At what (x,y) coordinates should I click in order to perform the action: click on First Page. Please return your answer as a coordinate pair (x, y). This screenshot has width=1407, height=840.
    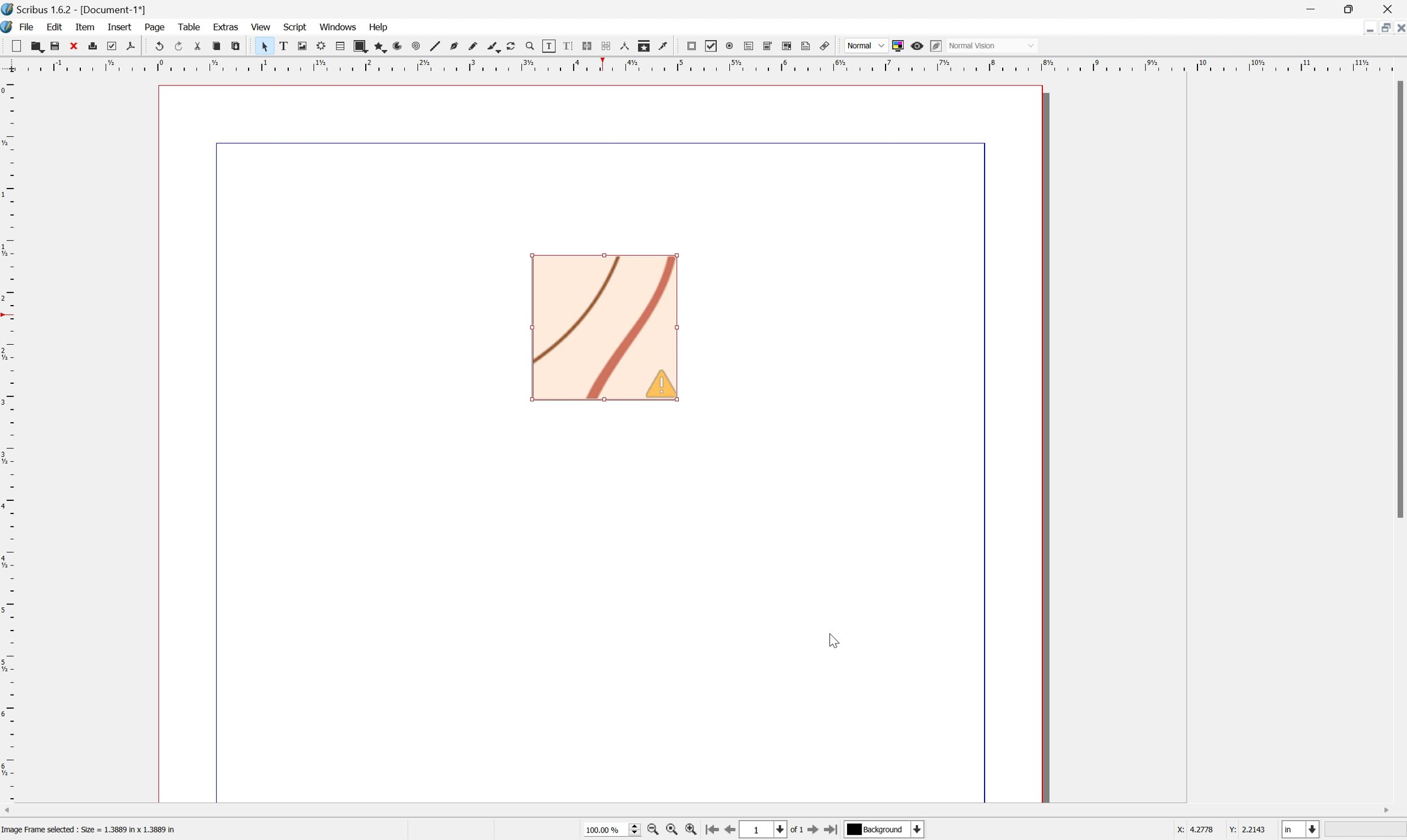
    Looking at the image, I should click on (713, 829).